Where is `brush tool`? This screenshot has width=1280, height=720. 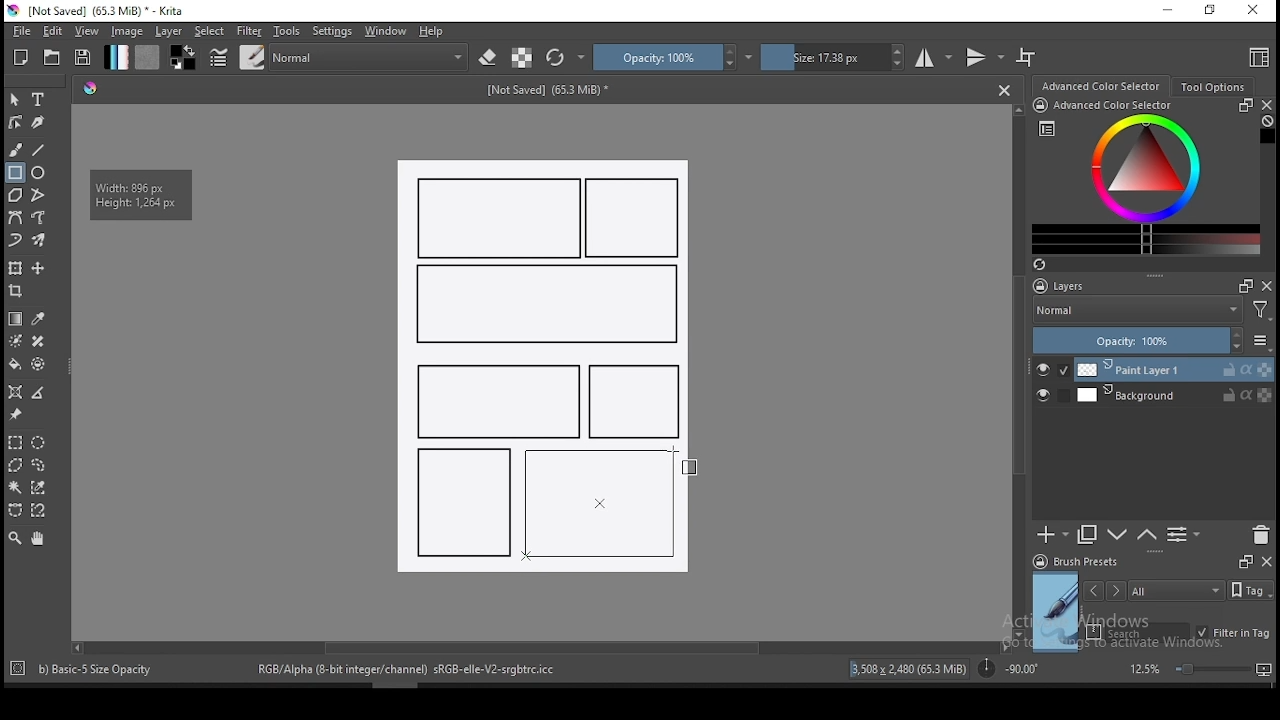
brush tool is located at coordinates (17, 149).